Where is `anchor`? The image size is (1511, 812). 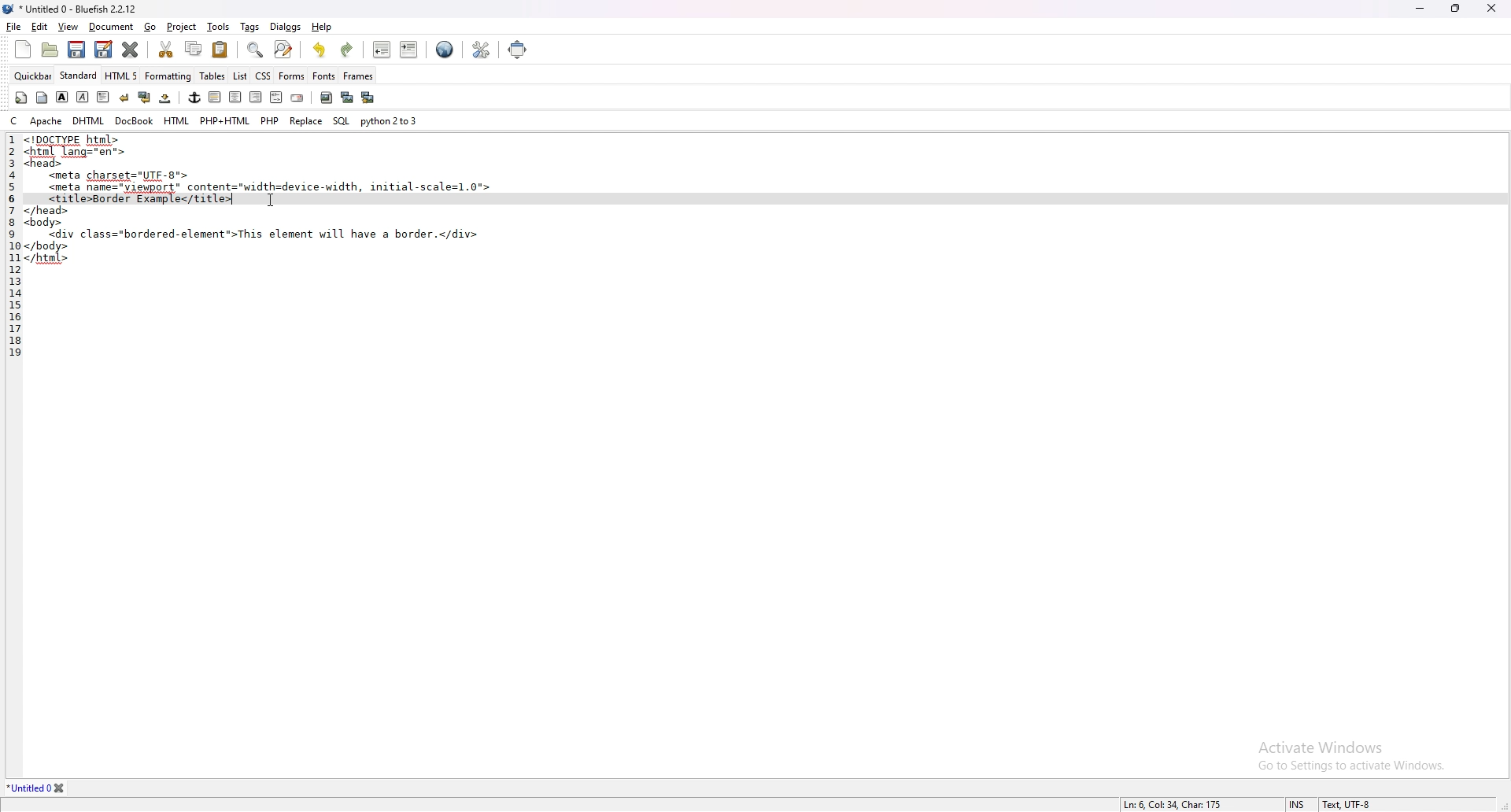 anchor is located at coordinates (194, 98).